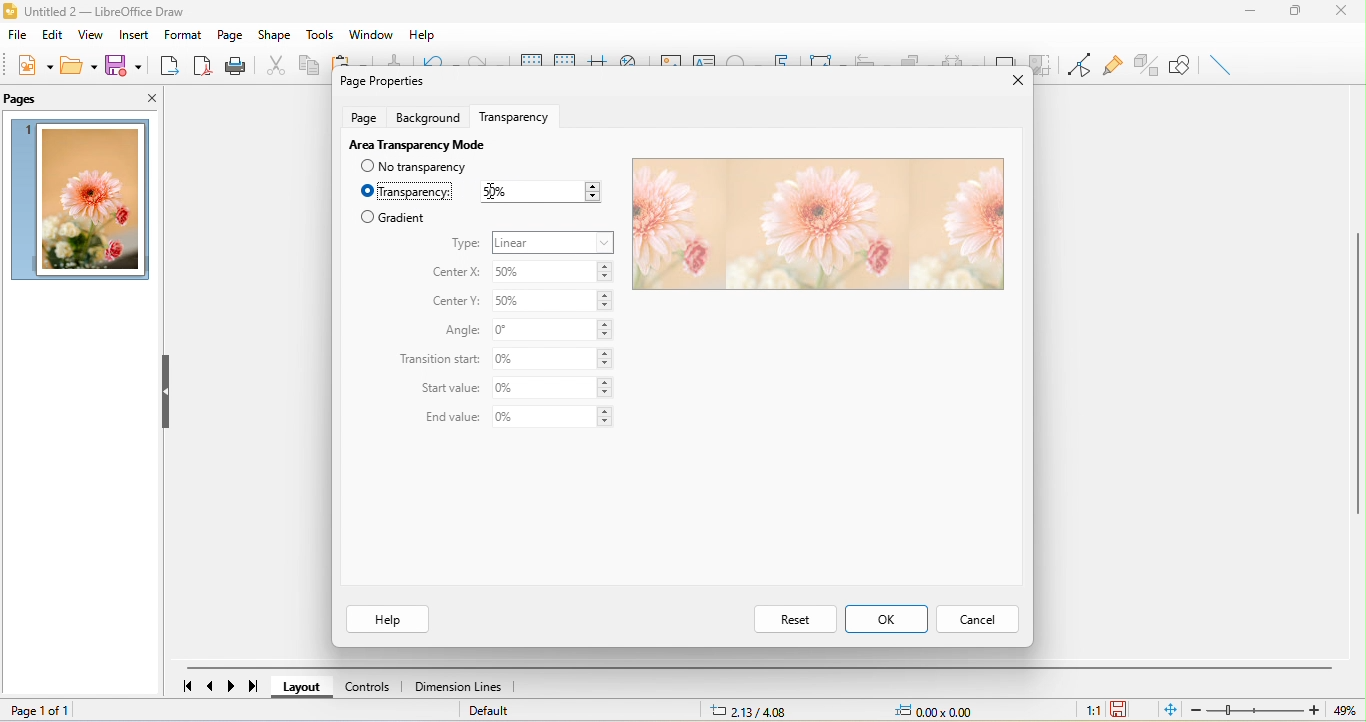 This screenshot has width=1366, height=722. What do you see at coordinates (466, 244) in the screenshot?
I see `type` at bounding box center [466, 244].